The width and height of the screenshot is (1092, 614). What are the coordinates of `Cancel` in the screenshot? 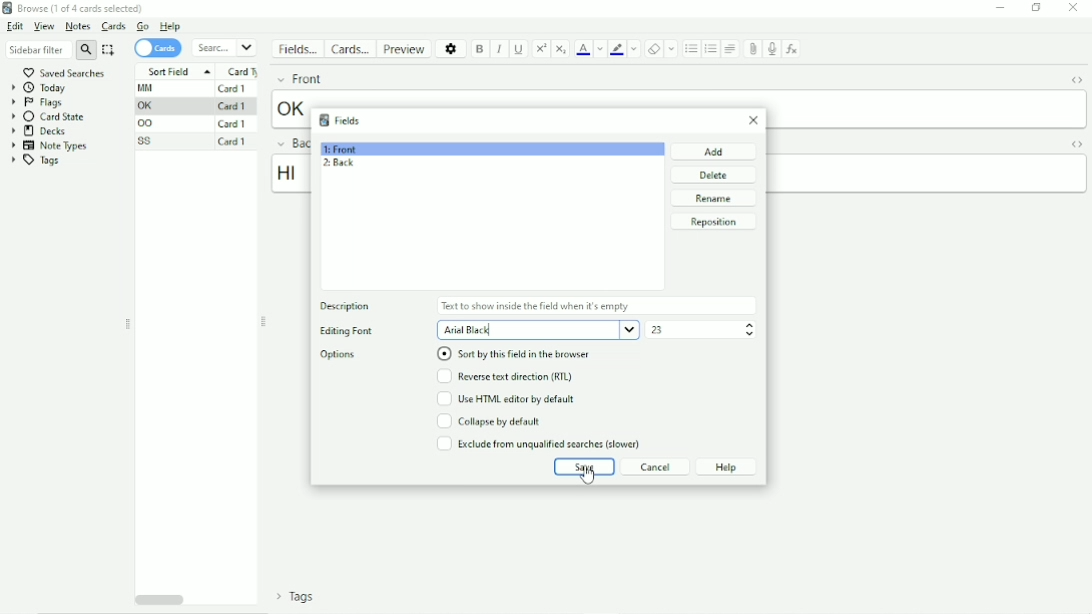 It's located at (657, 466).